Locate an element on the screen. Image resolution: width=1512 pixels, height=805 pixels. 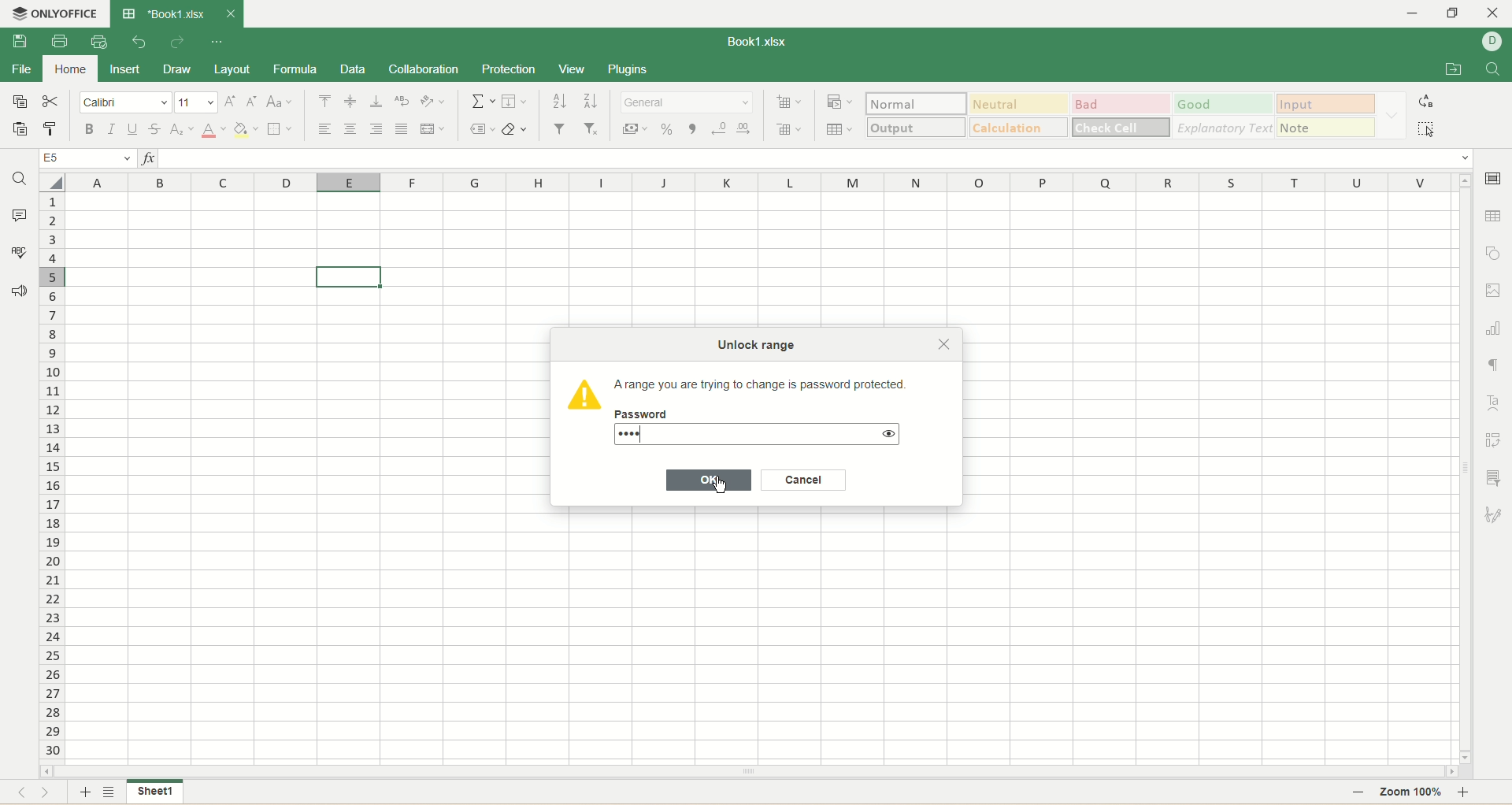
named ranges is located at coordinates (482, 128).